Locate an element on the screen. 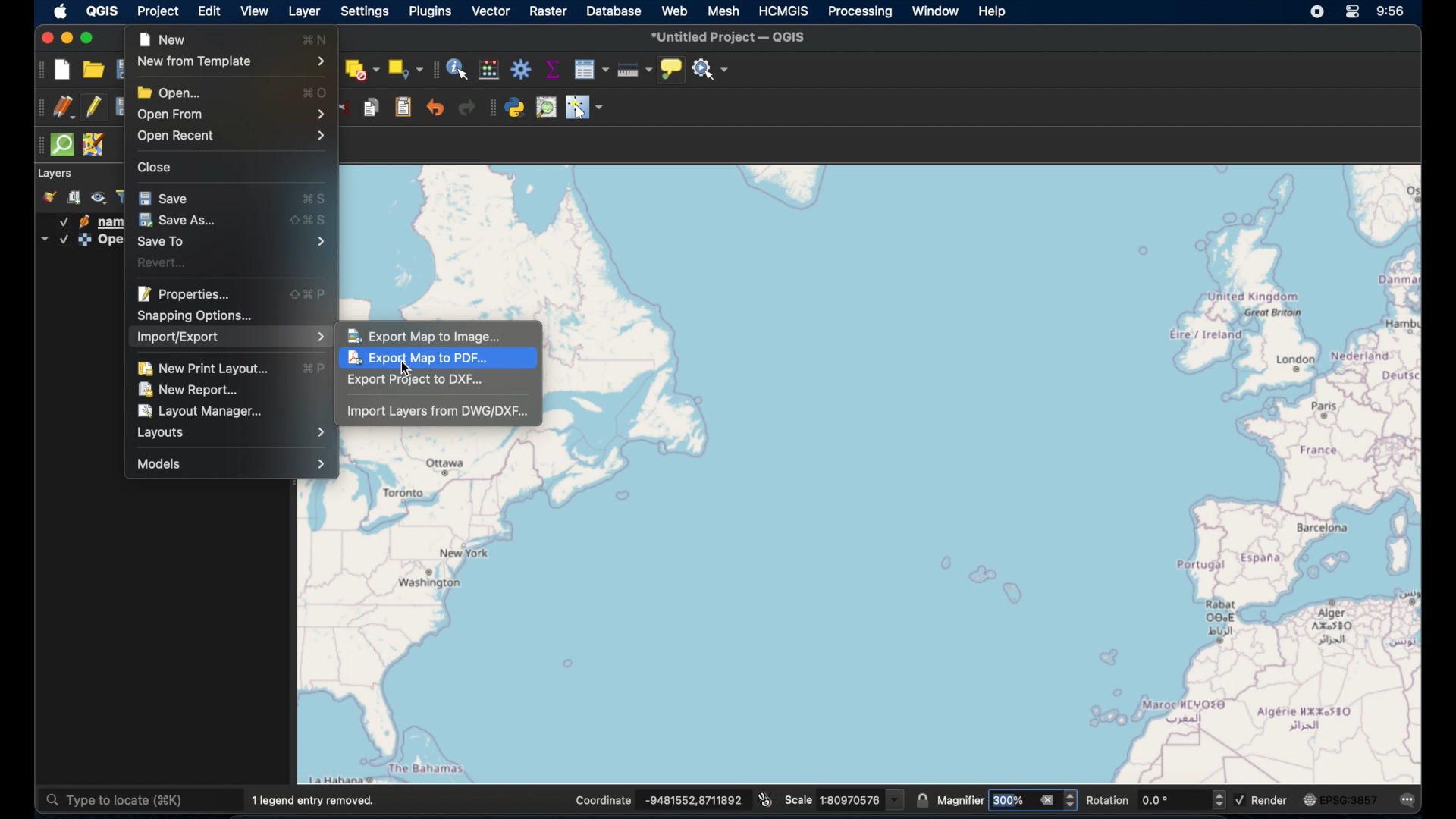 The height and width of the screenshot is (819, 1456). toggle extents and mouse display position is located at coordinates (767, 799).